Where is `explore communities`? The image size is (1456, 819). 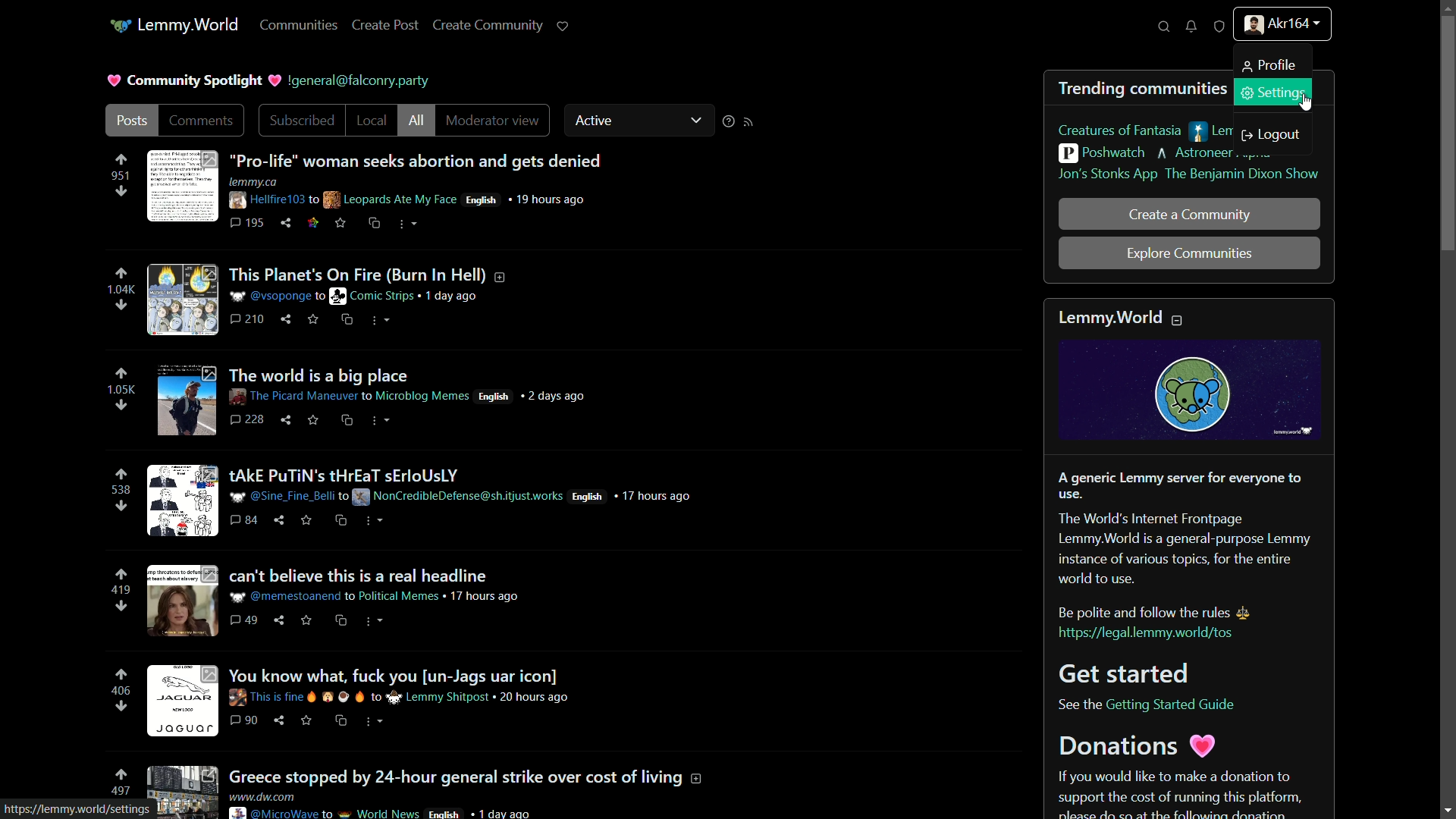
explore communities is located at coordinates (1190, 254).